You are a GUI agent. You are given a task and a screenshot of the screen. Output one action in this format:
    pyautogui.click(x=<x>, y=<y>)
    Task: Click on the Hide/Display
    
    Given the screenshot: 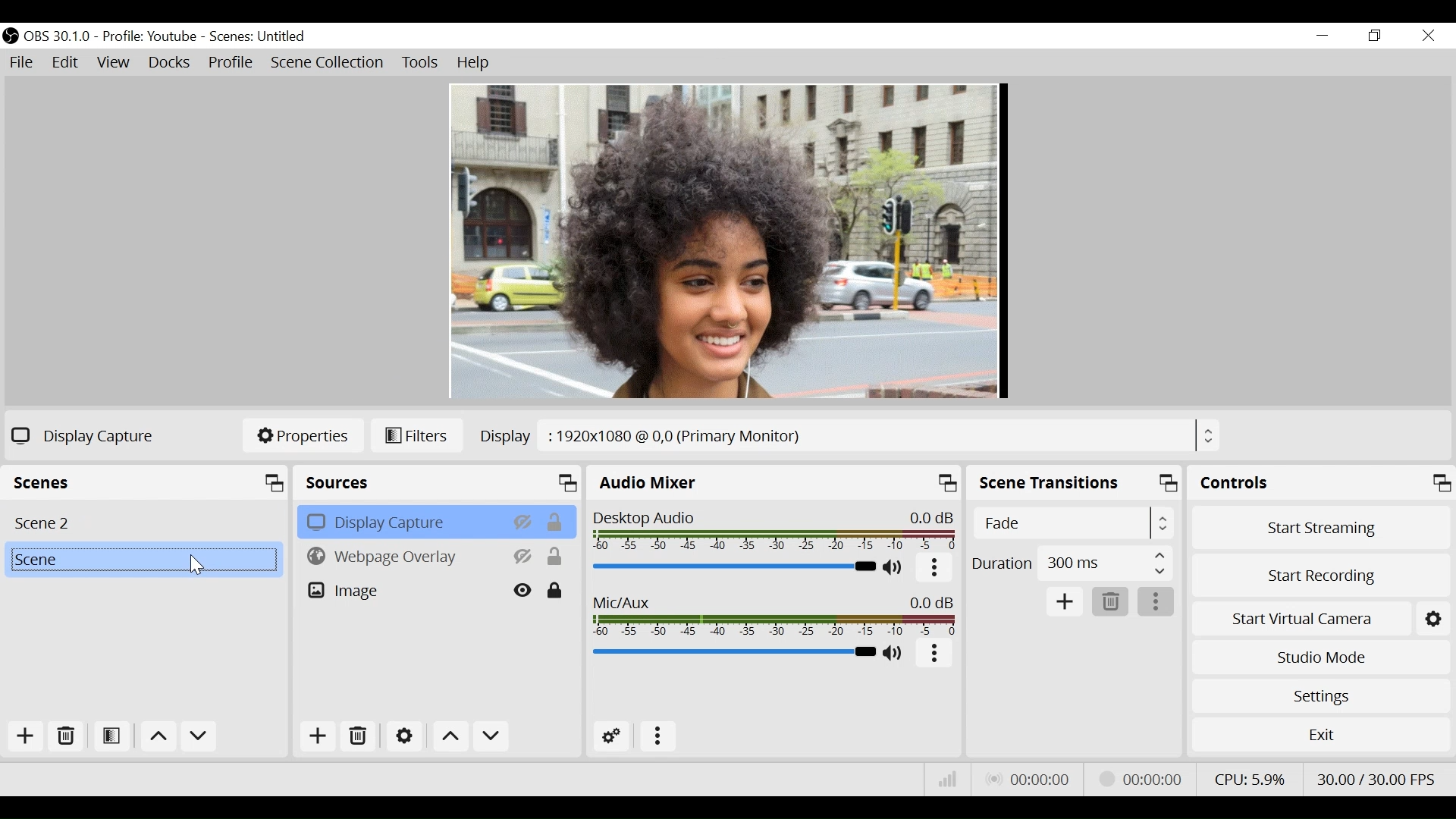 What is the action you would take?
    pyautogui.click(x=524, y=590)
    